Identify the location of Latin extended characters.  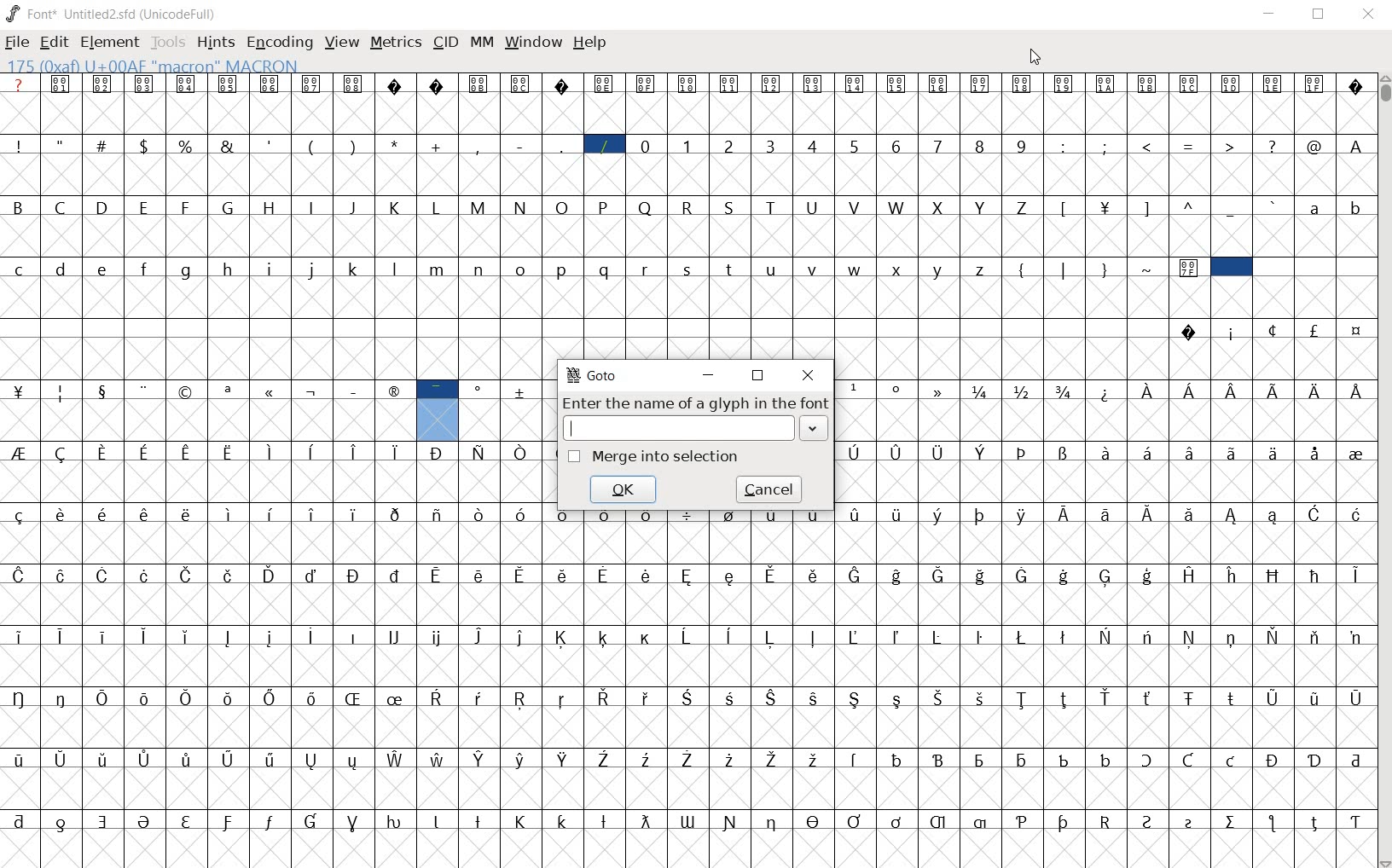
(1252, 410).